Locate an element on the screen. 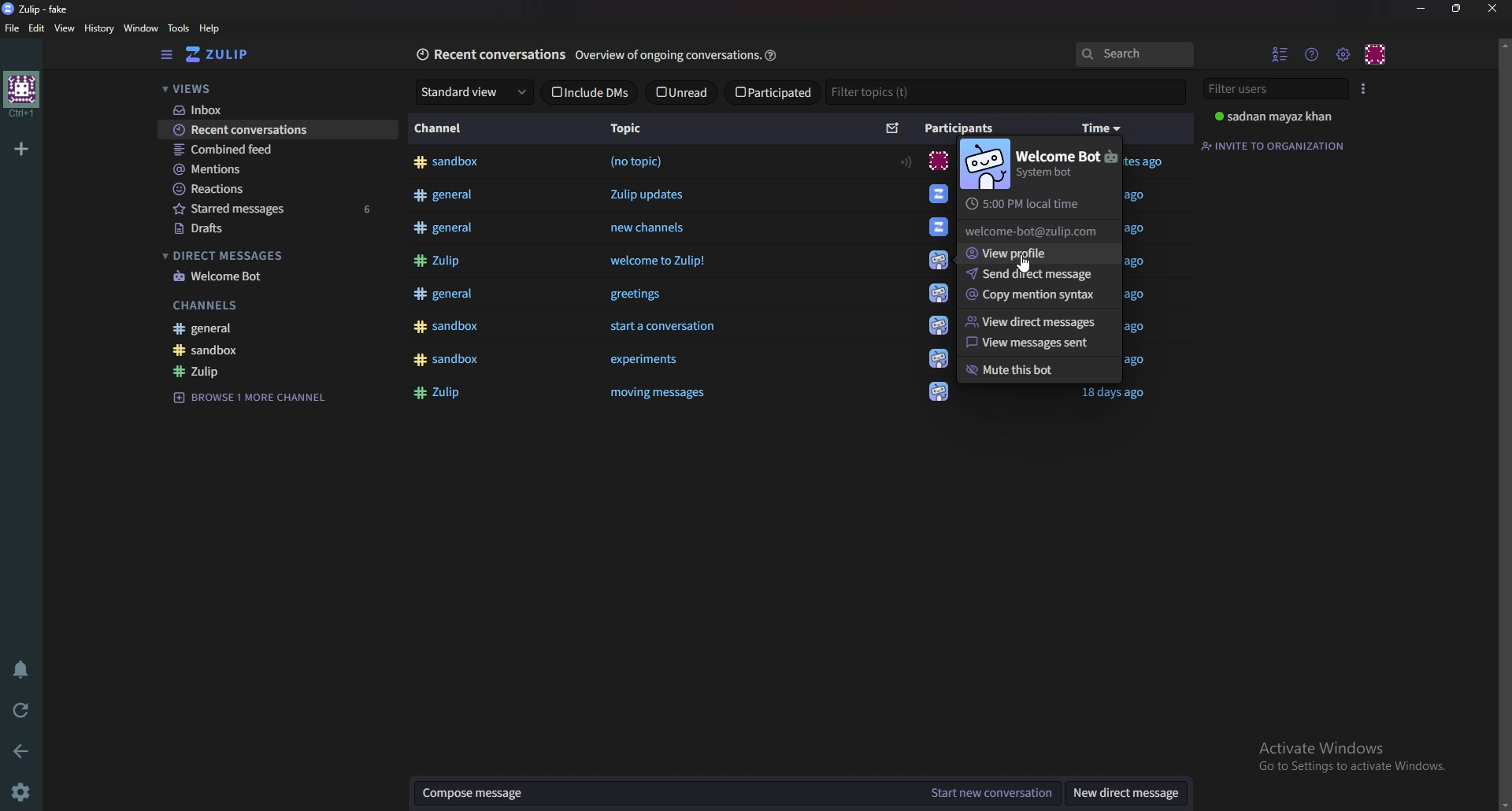 Image resolution: width=1512 pixels, height=811 pixels. home is located at coordinates (20, 94).